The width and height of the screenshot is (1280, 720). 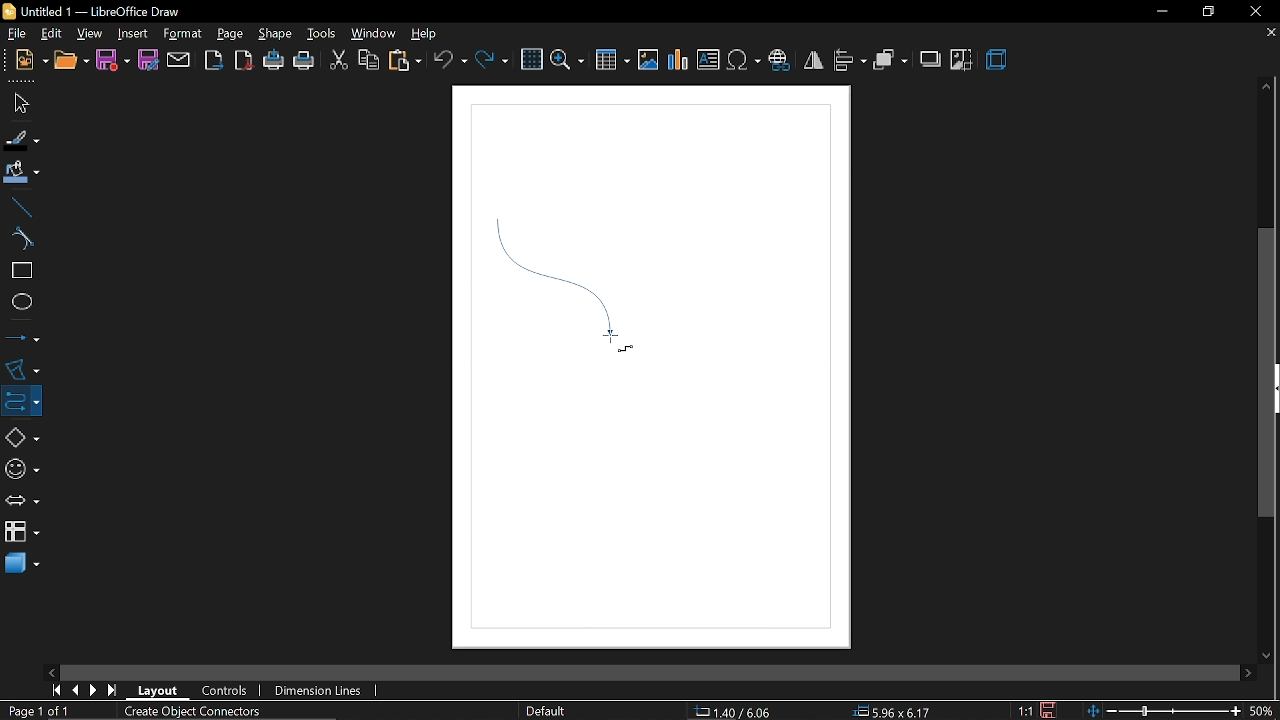 I want to click on Insert table, so click(x=614, y=59).